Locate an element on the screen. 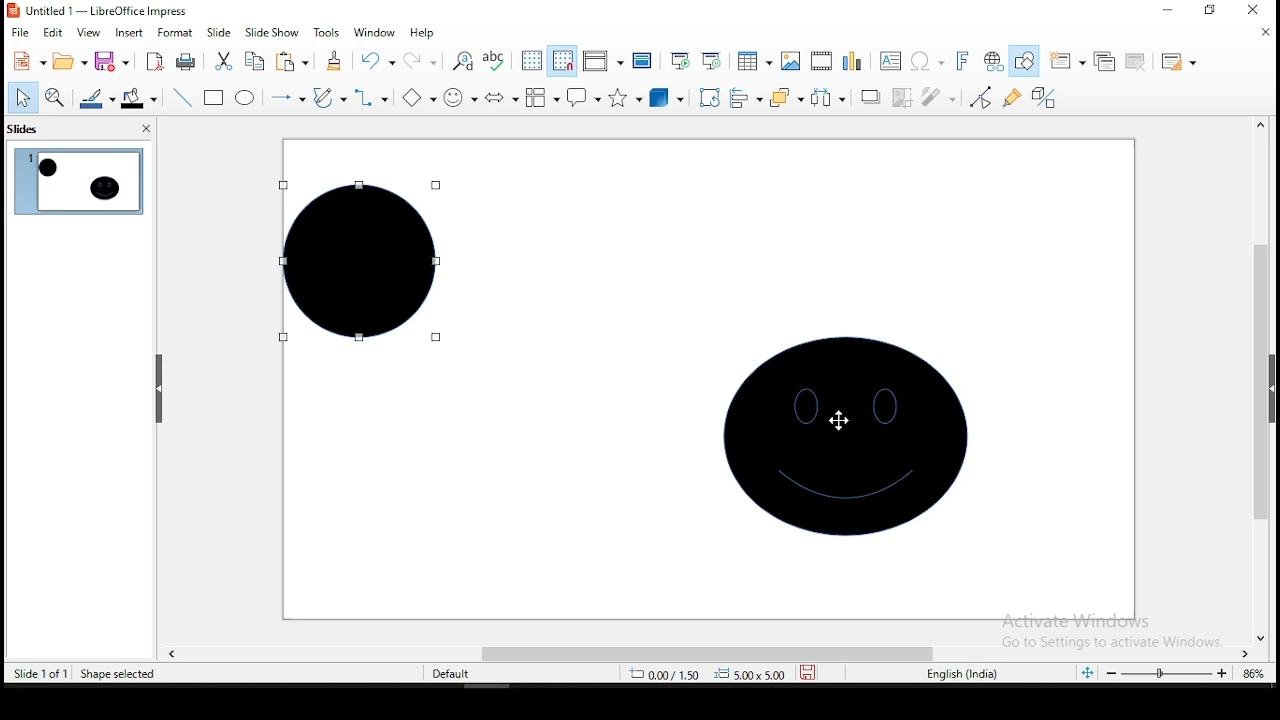  object is located at coordinates (847, 437).